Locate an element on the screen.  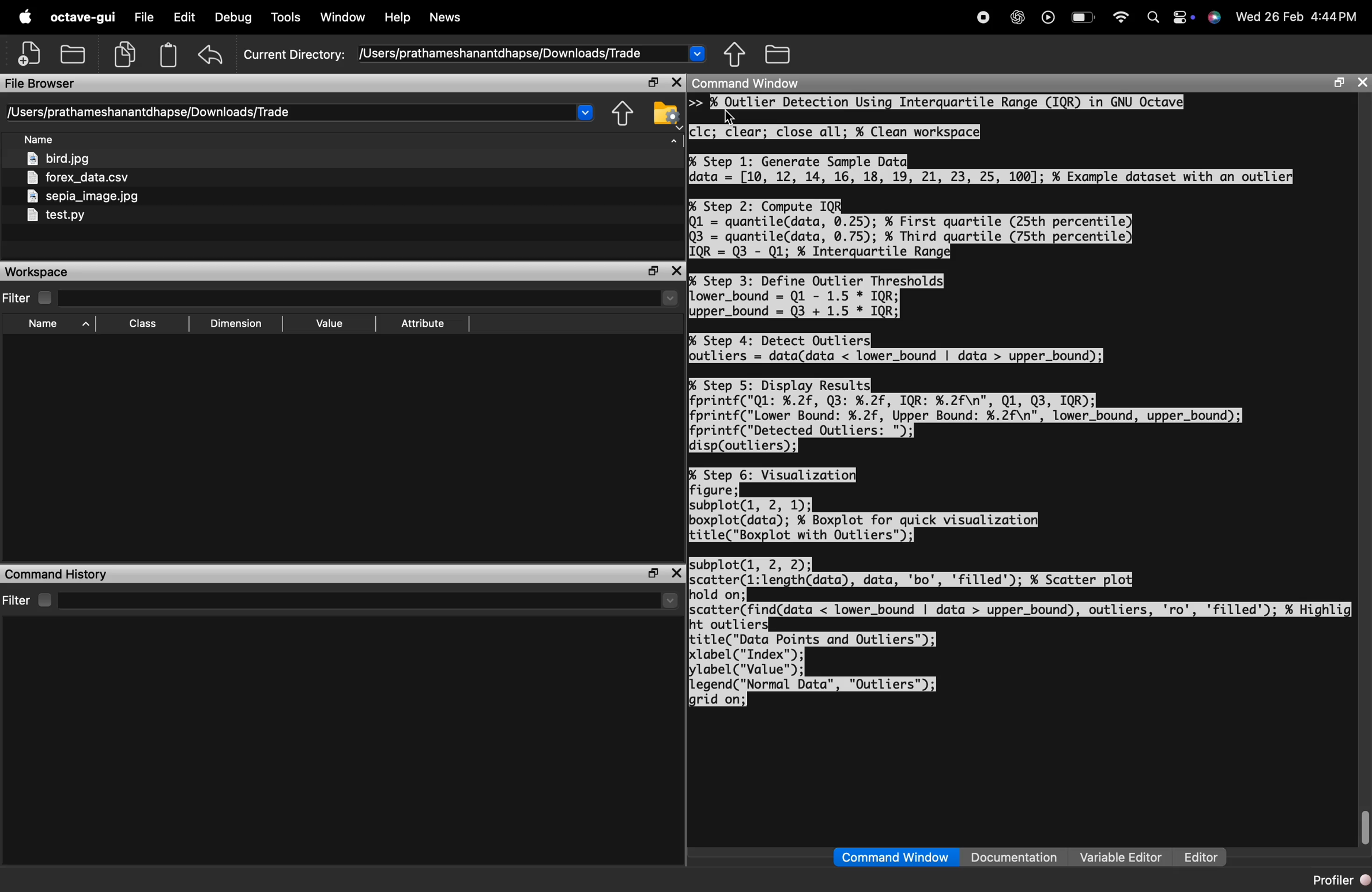
Drop-down  is located at coordinates (586, 111).